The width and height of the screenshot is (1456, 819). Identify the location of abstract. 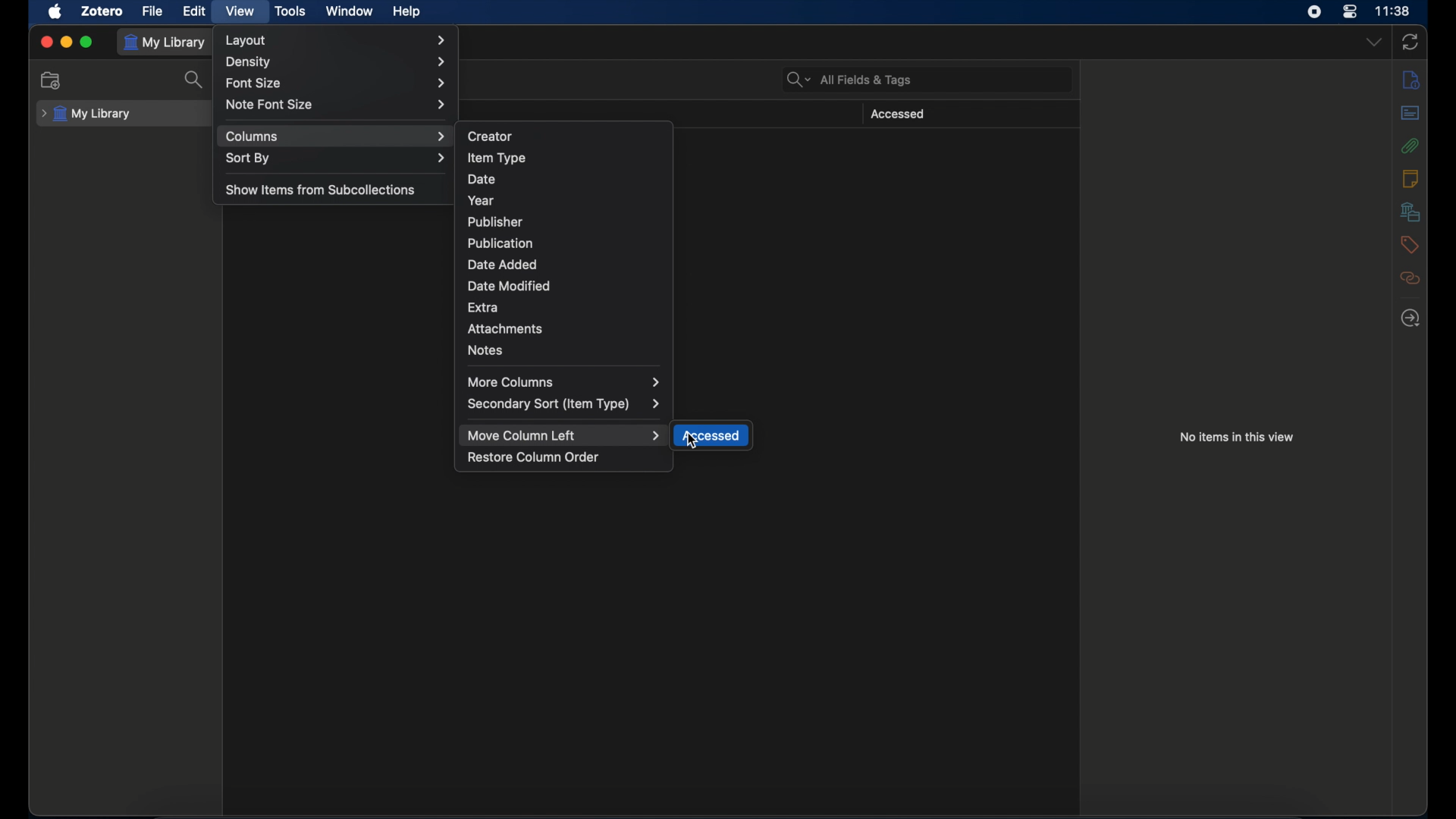
(1410, 113).